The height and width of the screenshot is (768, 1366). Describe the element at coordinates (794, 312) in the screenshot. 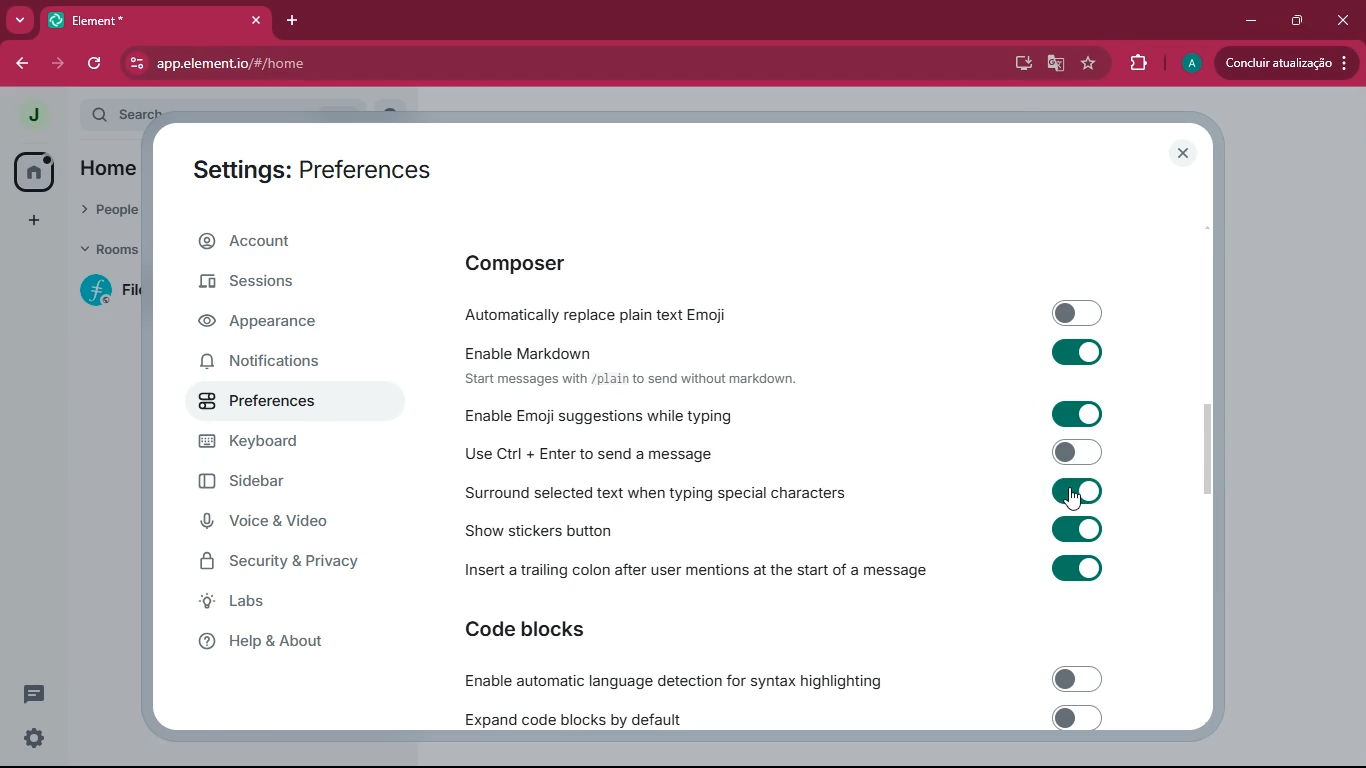

I see `automatically replace plain text emoji` at that location.